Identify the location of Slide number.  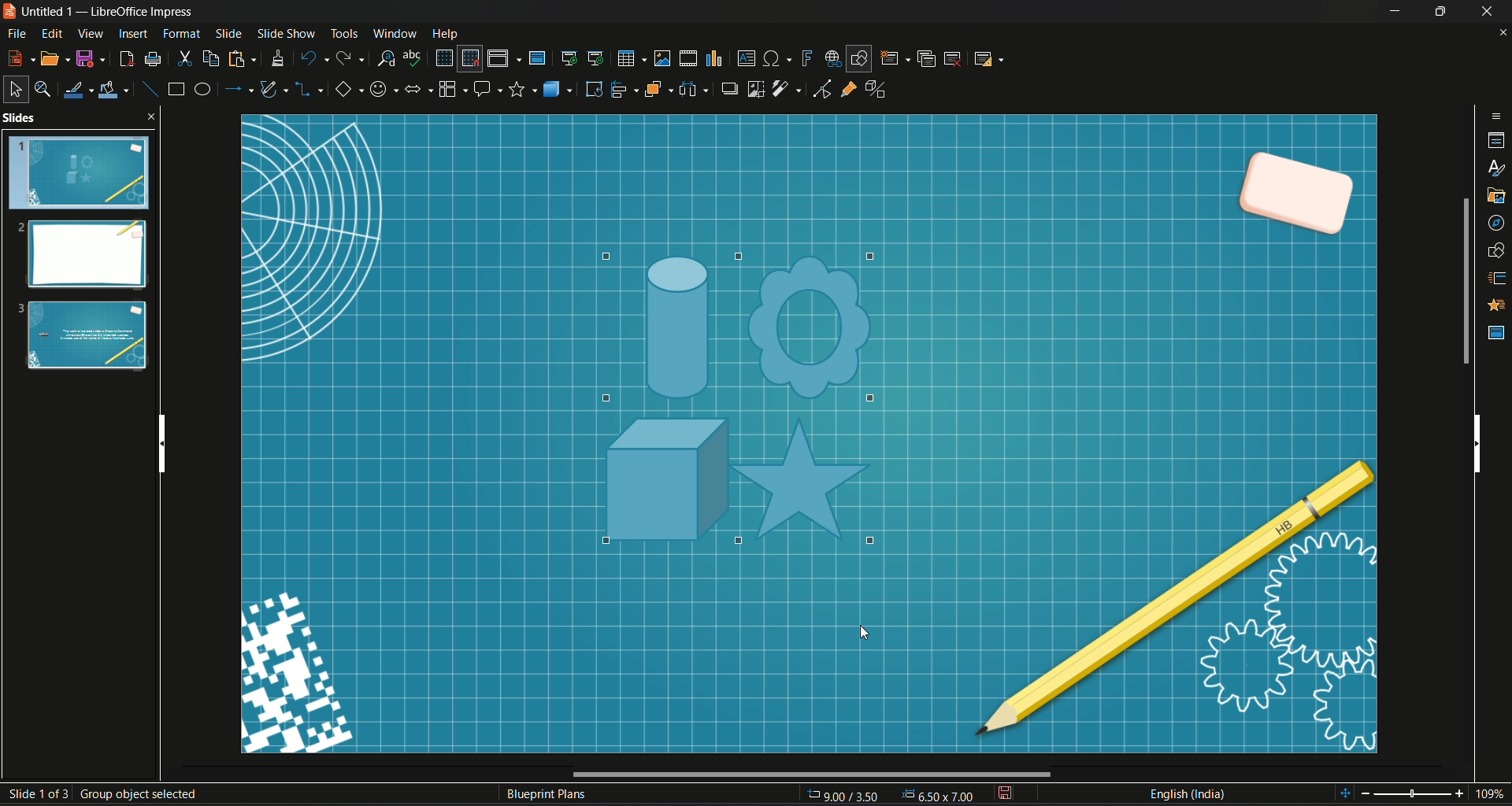
(120, 793).